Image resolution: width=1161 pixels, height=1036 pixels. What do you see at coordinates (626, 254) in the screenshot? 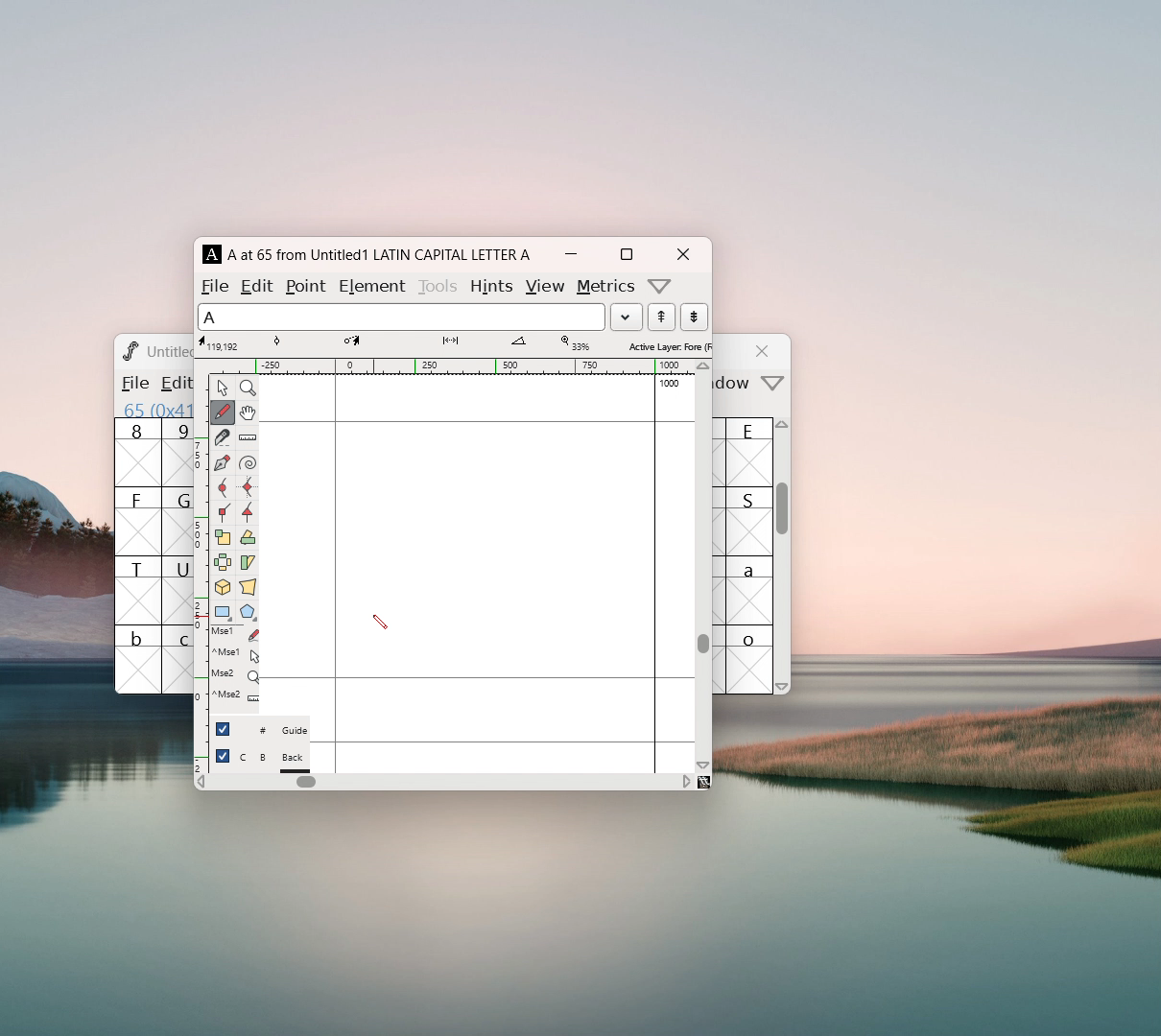
I see `maximize` at bounding box center [626, 254].